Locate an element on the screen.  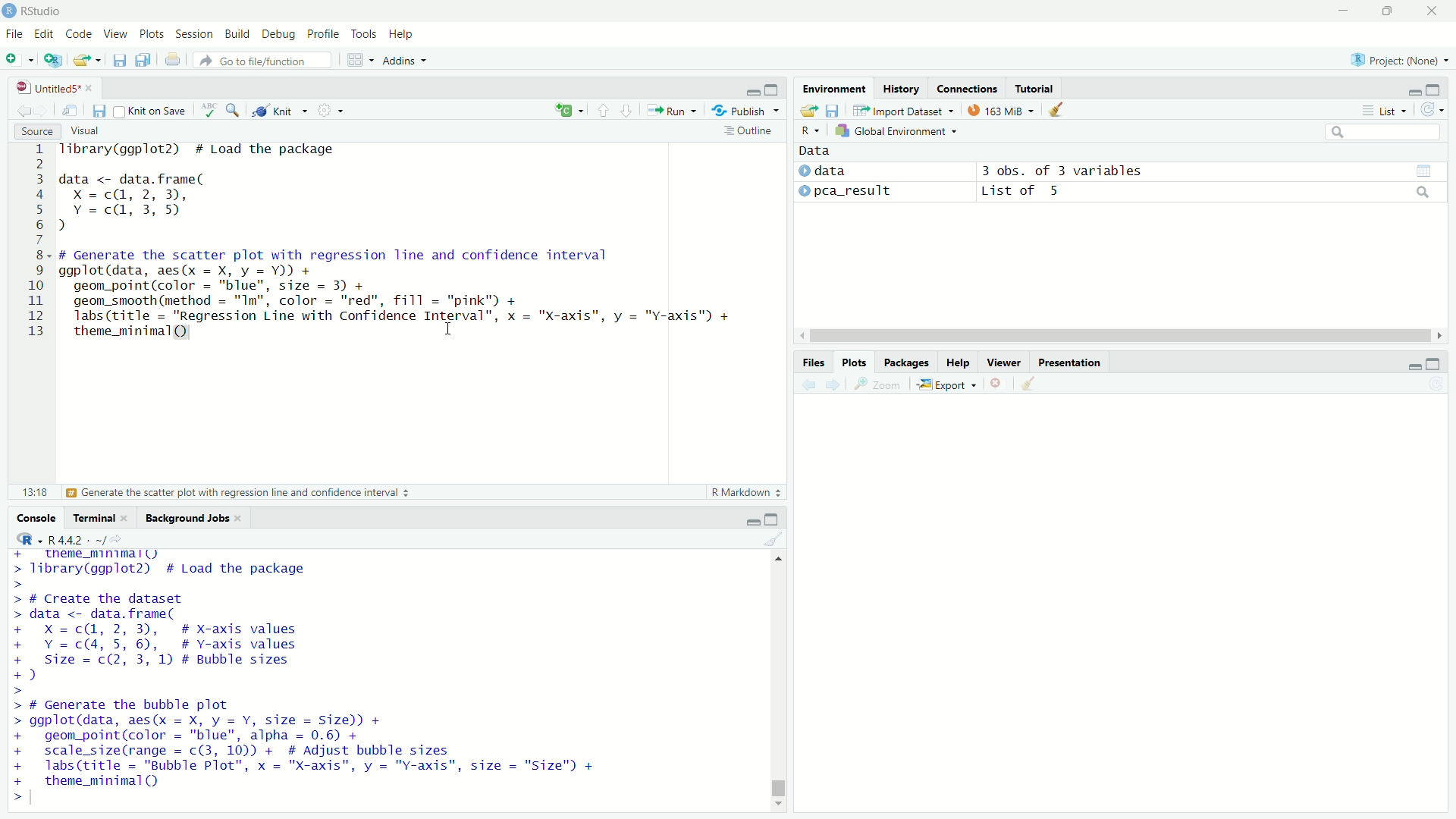
Terminal is located at coordinates (90, 516).